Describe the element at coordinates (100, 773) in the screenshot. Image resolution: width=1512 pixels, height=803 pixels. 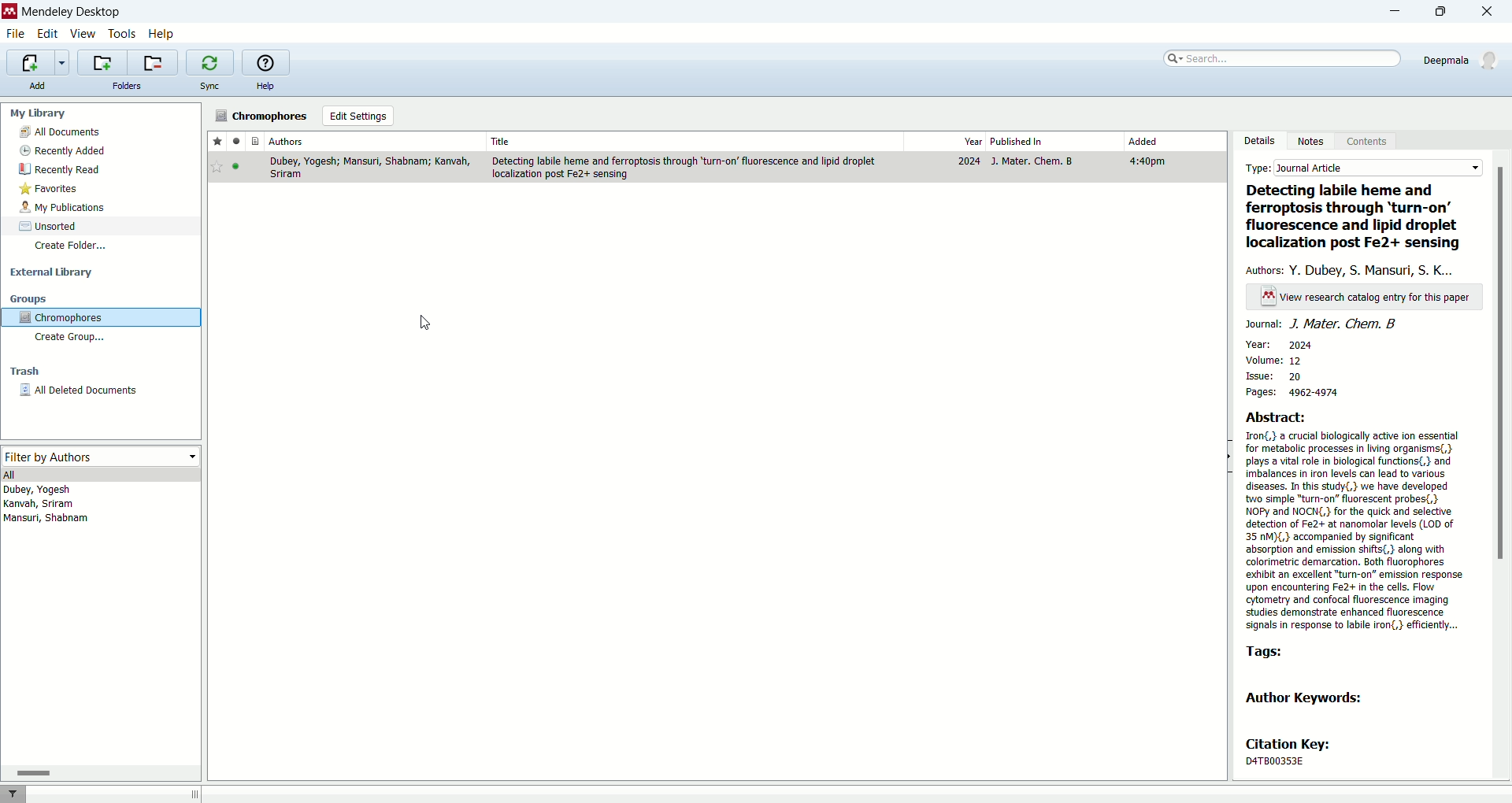
I see `horizontal scroll bar` at that location.